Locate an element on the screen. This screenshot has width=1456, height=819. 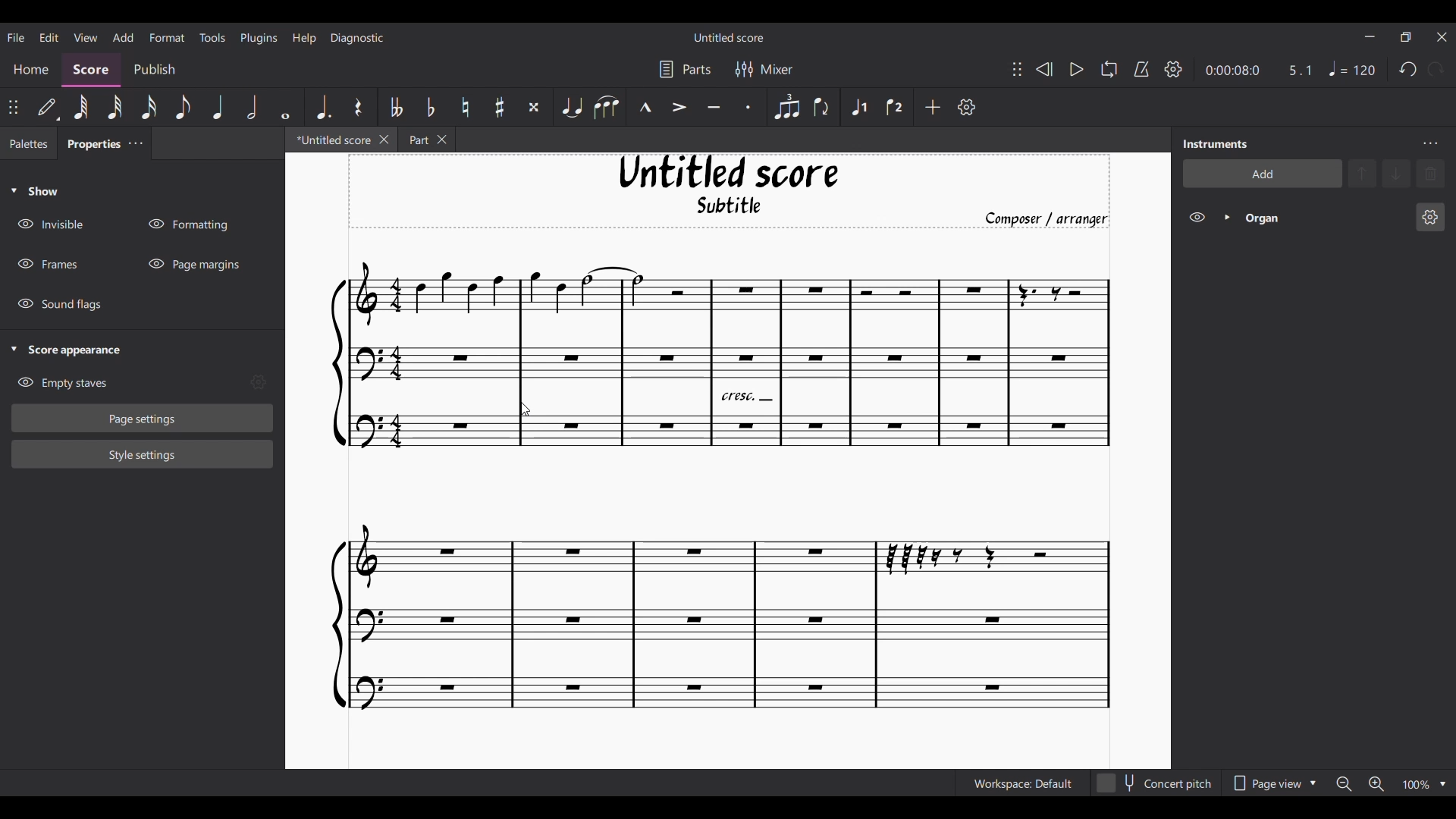
Whole note is located at coordinates (287, 106).